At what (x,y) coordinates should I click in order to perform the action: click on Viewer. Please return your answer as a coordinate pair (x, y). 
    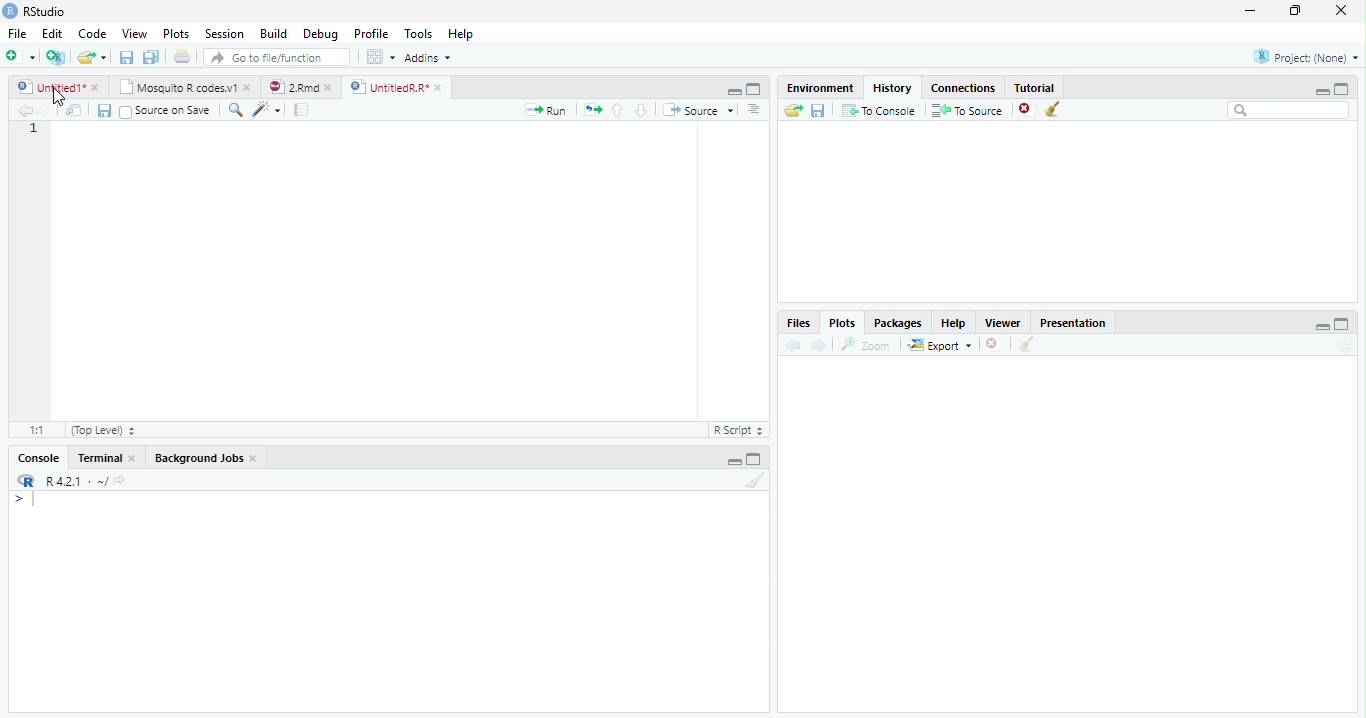
    Looking at the image, I should click on (1005, 322).